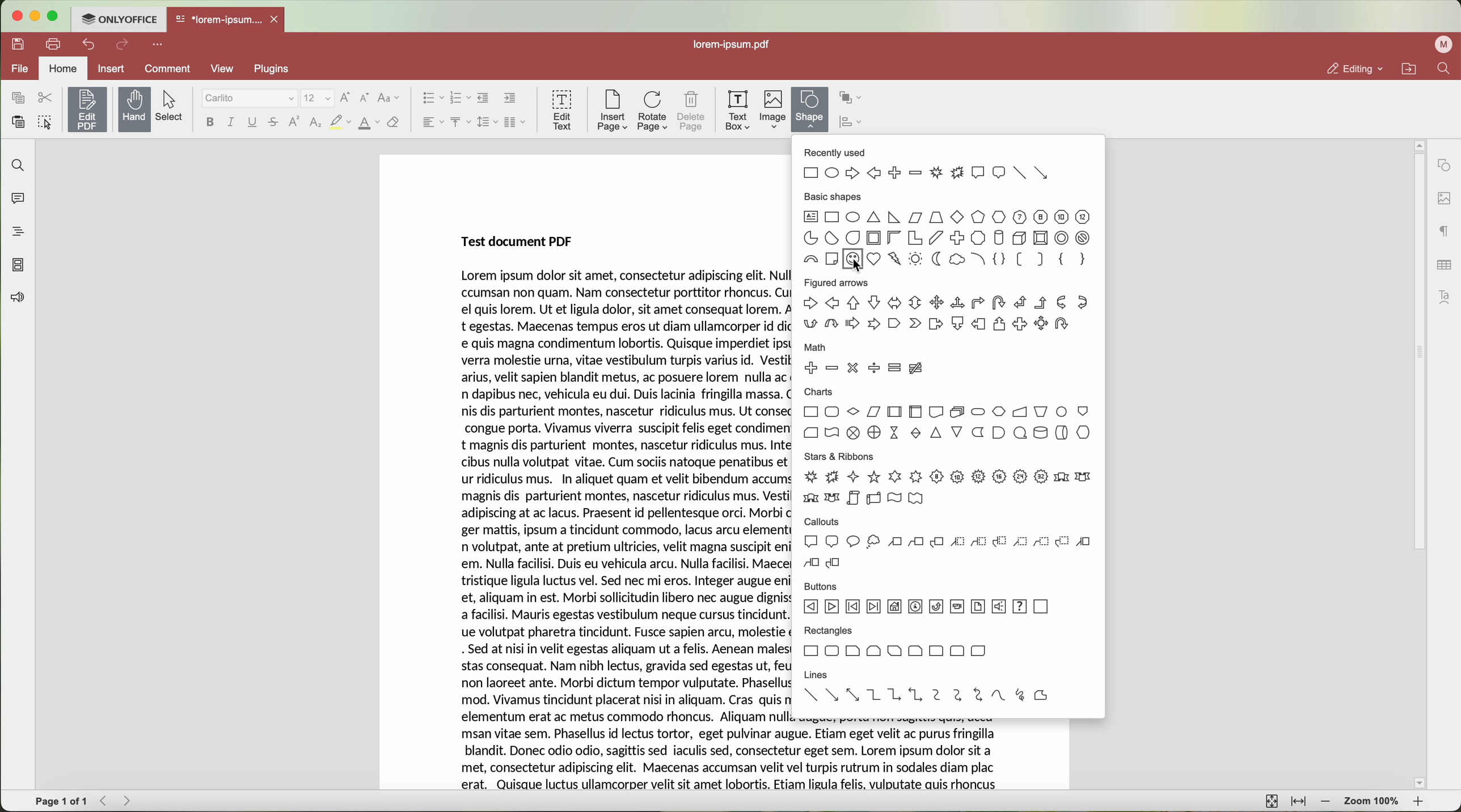  What do you see at coordinates (610, 111) in the screenshot?
I see `insert page` at bounding box center [610, 111].